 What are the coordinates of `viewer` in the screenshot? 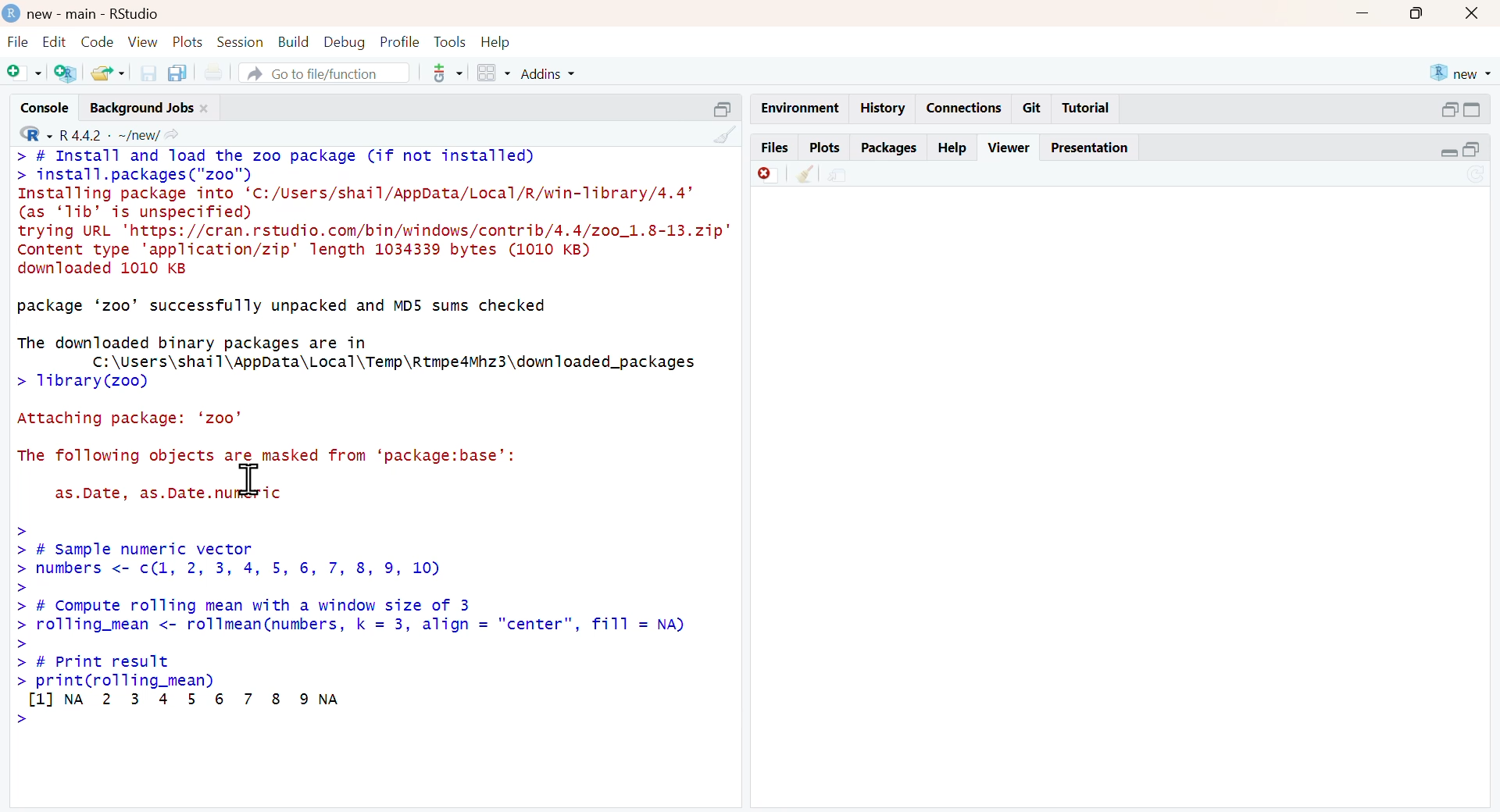 It's located at (1011, 148).